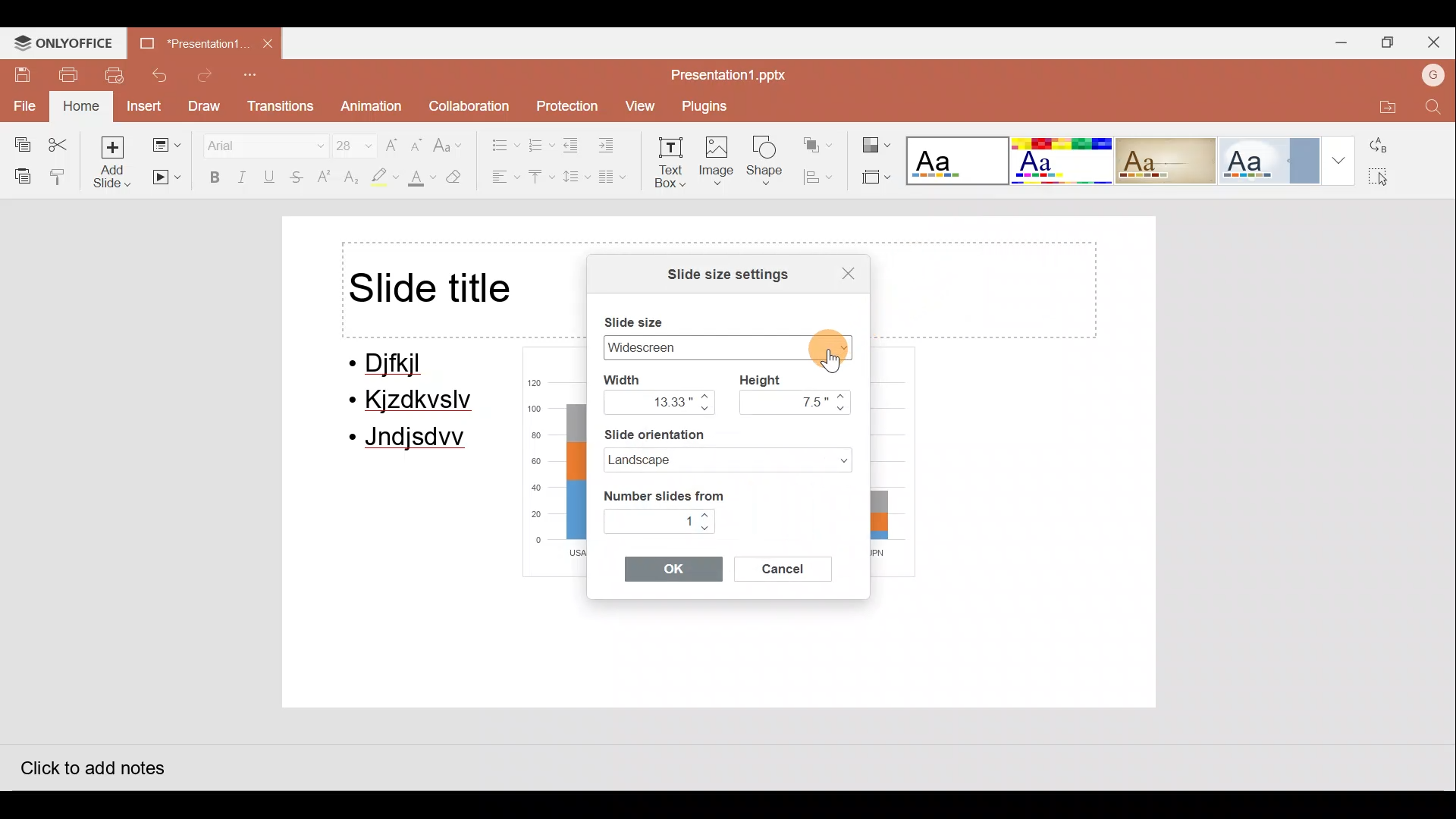 The width and height of the screenshot is (1456, 819). What do you see at coordinates (256, 143) in the screenshot?
I see `Font name` at bounding box center [256, 143].